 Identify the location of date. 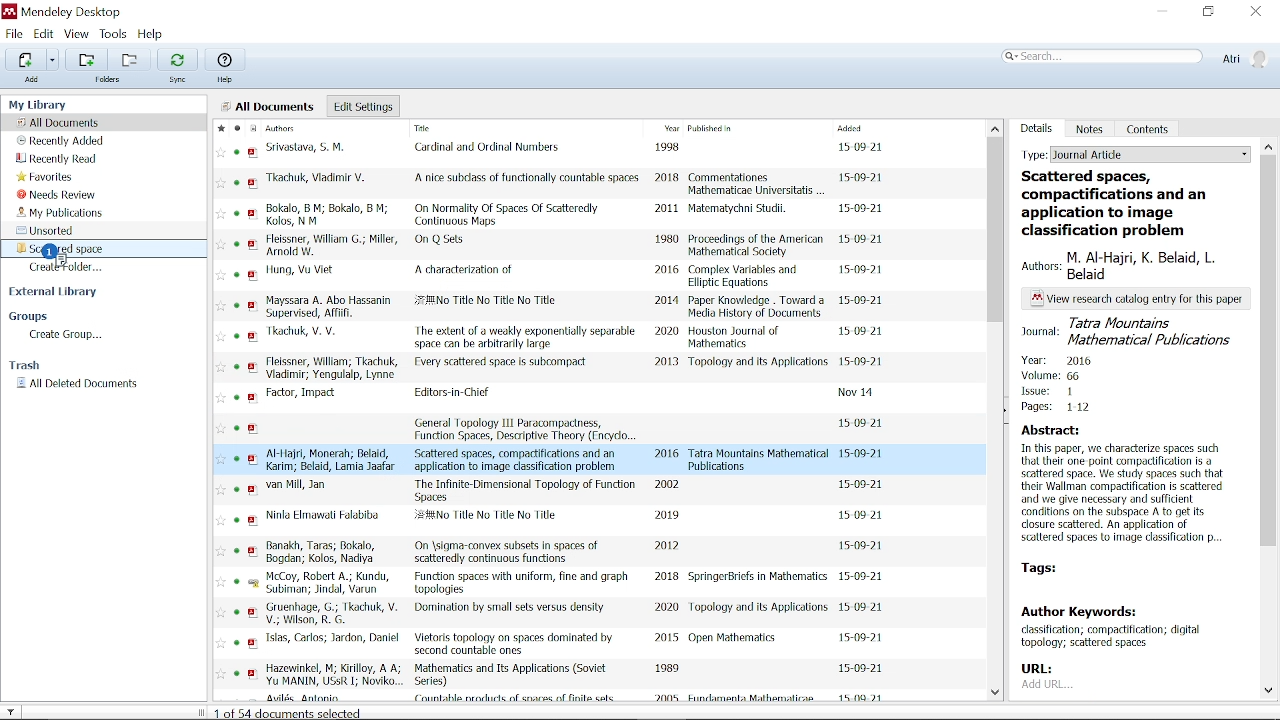
(863, 209).